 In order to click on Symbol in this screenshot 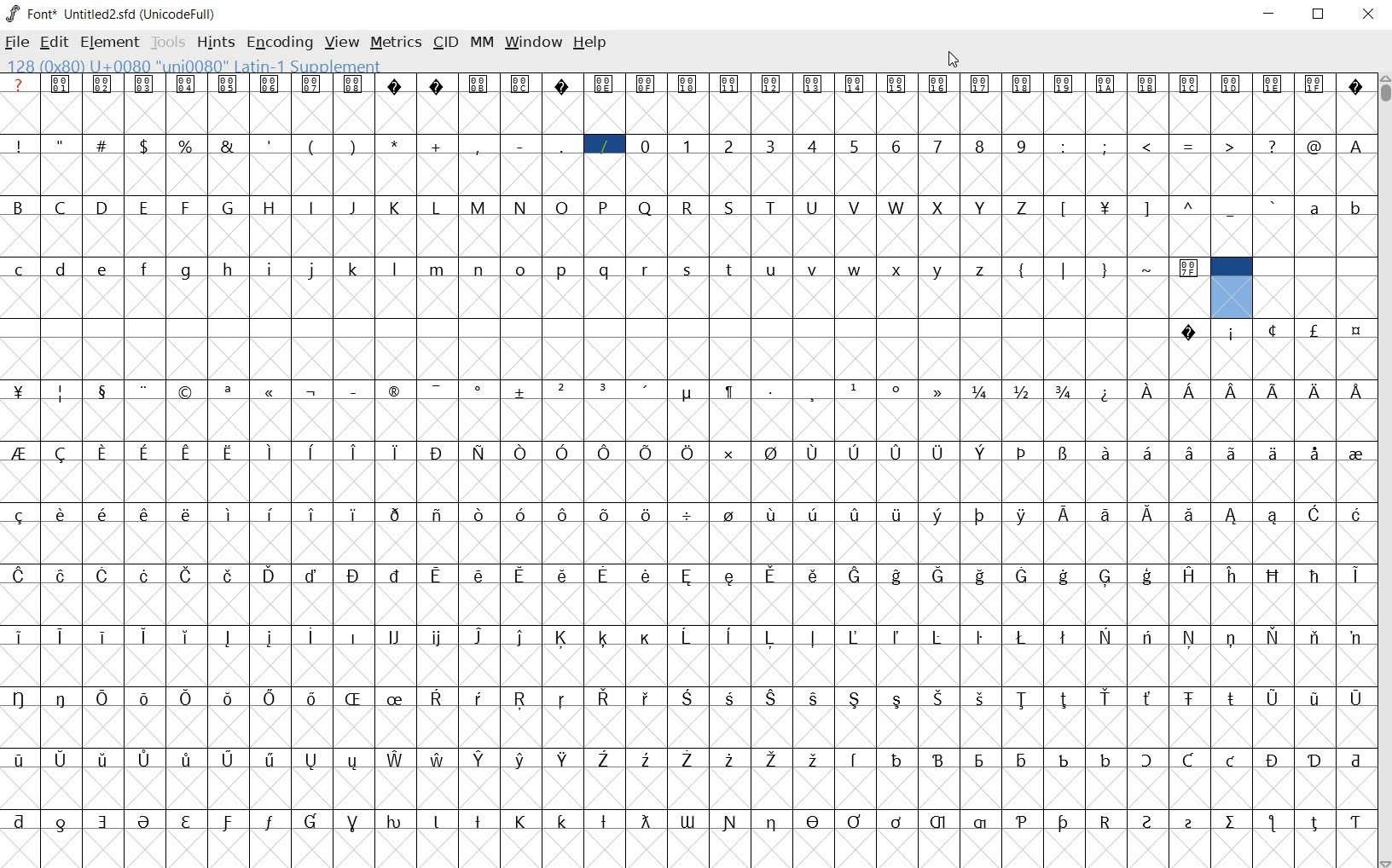, I will do `click(273, 820)`.